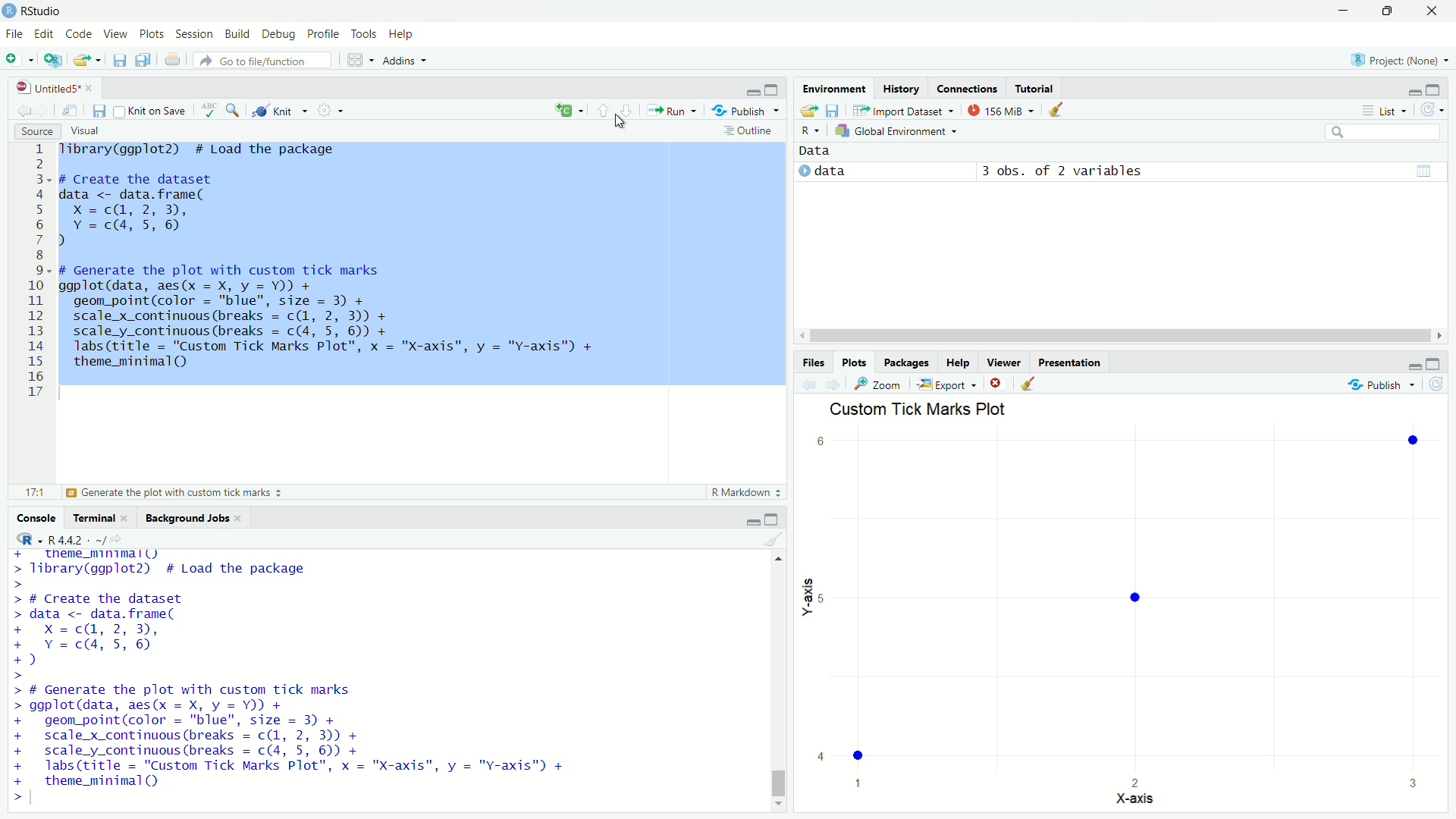 The image size is (1456, 819). Describe the element at coordinates (27, 492) in the screenshot. I see `17:1` at that location.